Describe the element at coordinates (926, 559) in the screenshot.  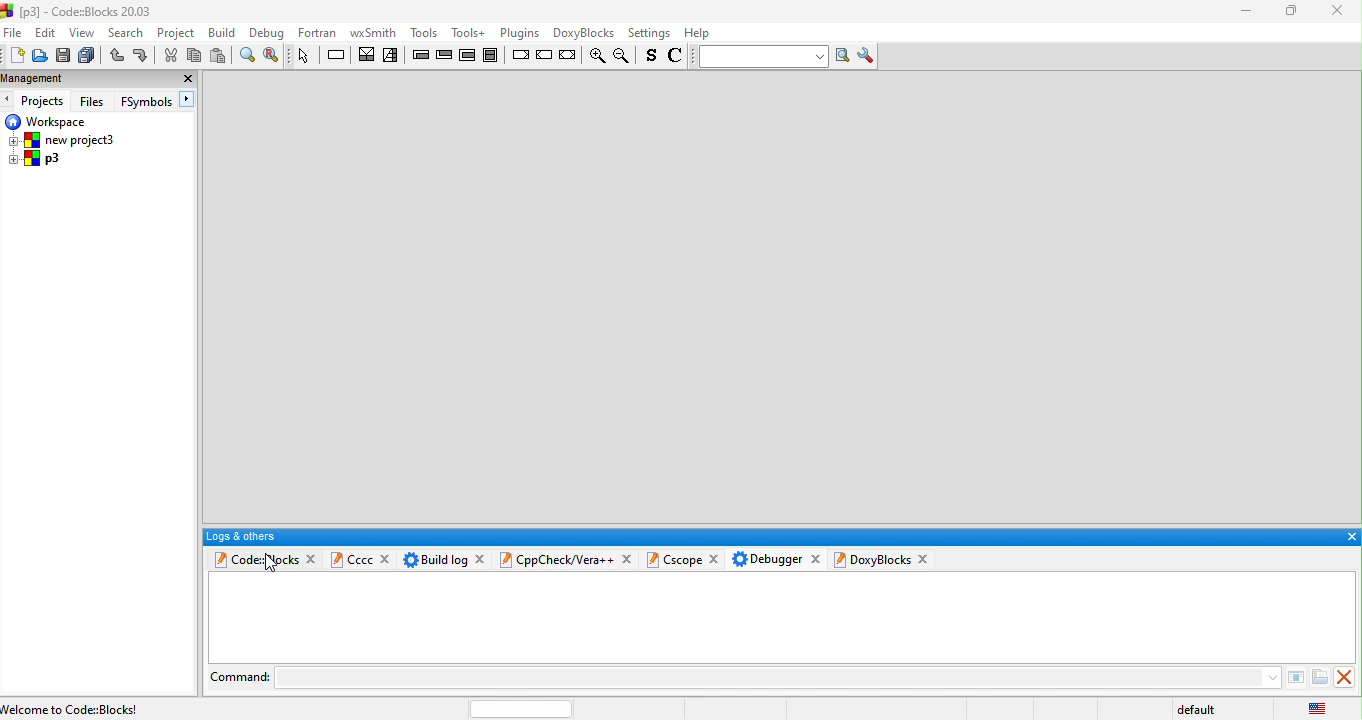
I see `close` at that location.